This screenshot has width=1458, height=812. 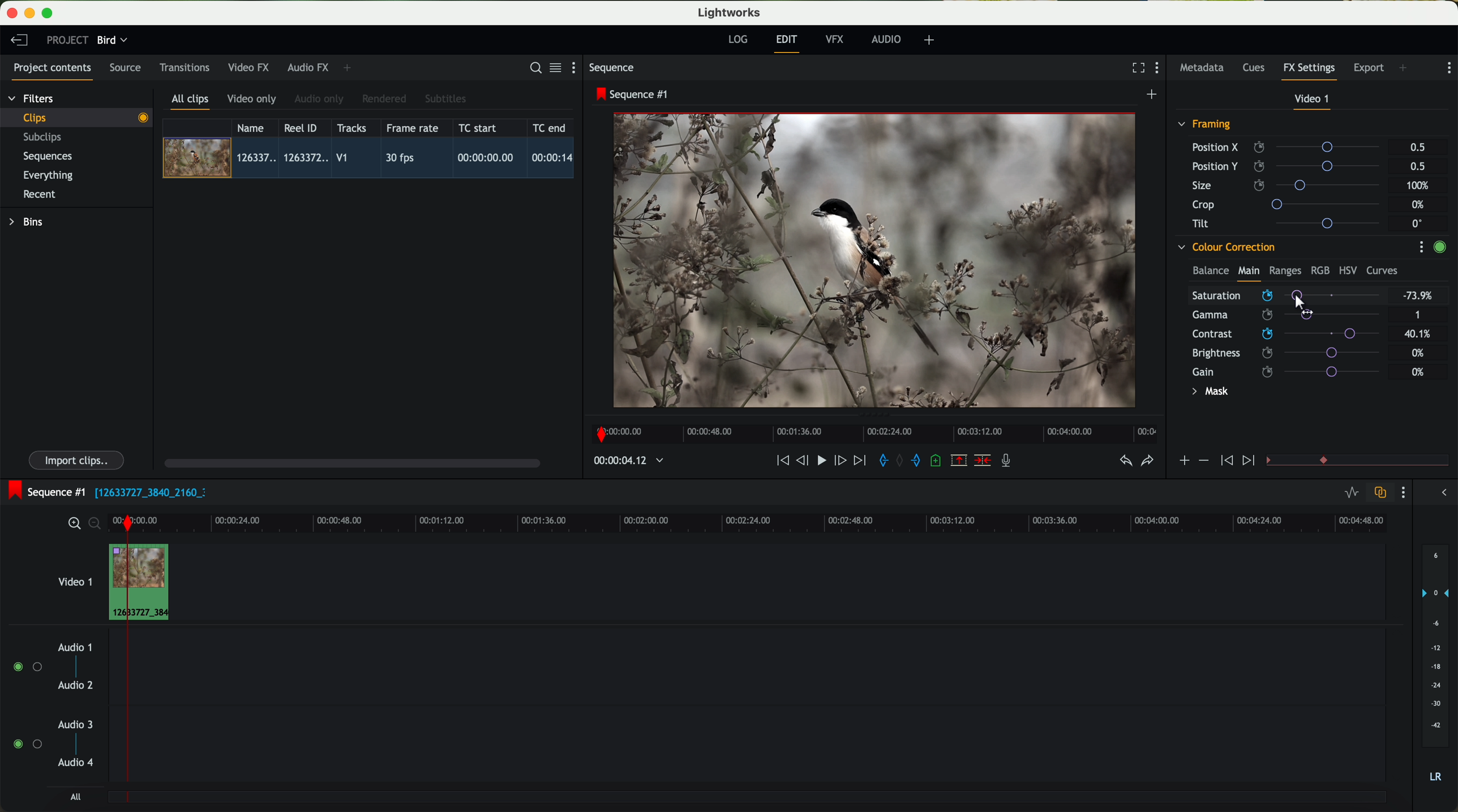 I want to click on mouse up (saturation), so click(x=1287, y=295).